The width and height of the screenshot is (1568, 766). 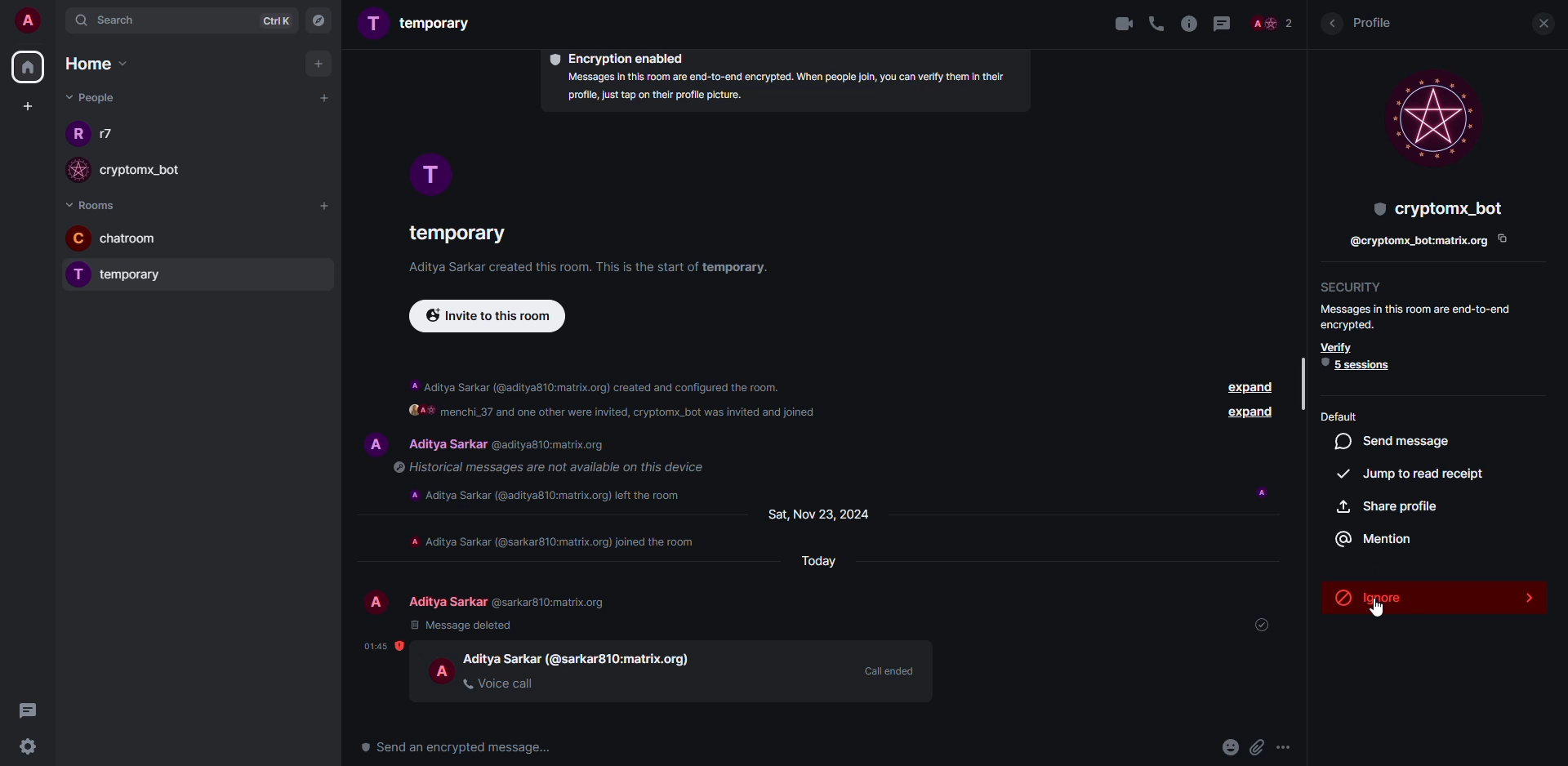 I want to click on search, so click(x=111, y=24).